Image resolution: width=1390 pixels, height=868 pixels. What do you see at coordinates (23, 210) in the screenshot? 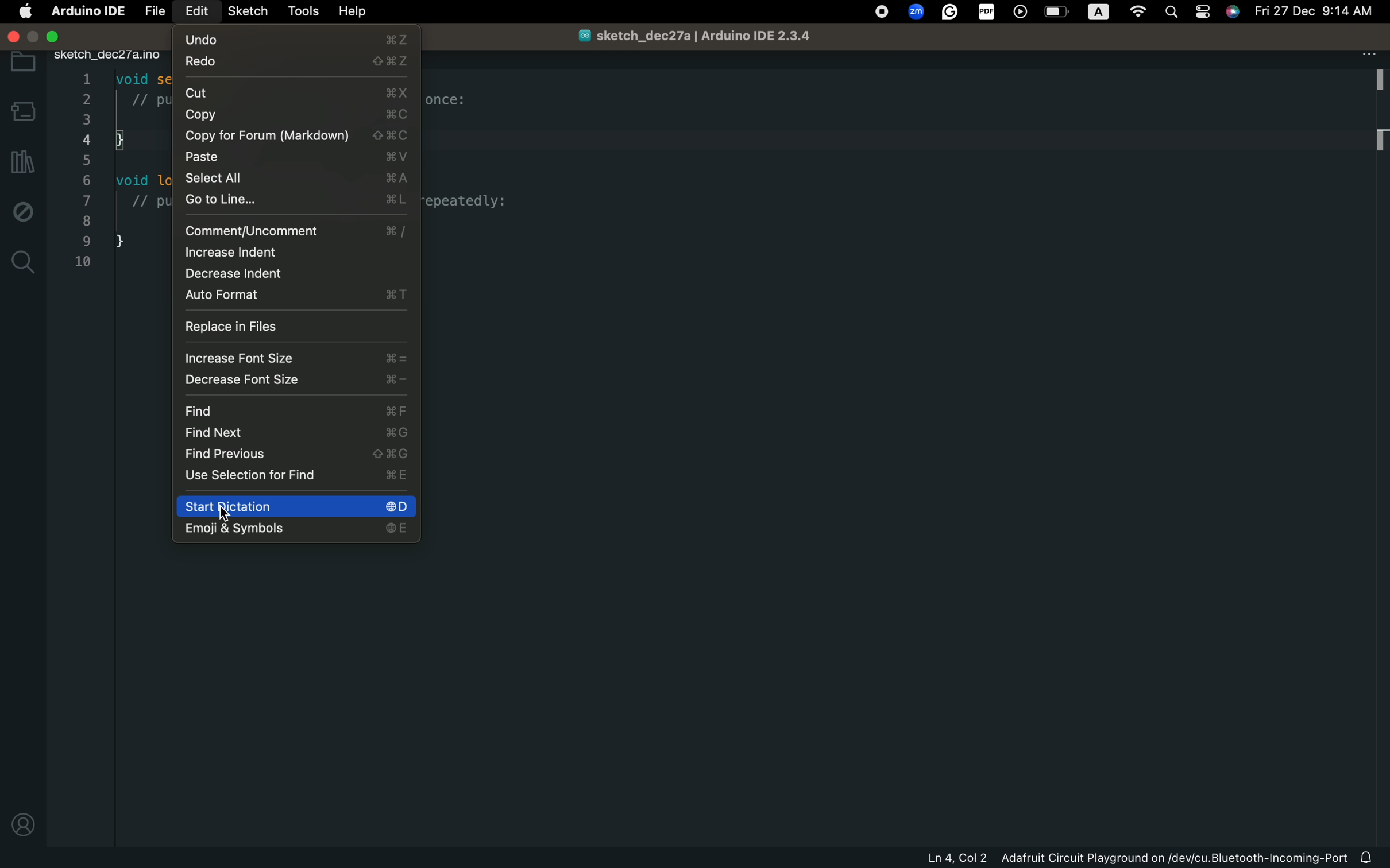
I see `debug` at bounding box center [23, 210].